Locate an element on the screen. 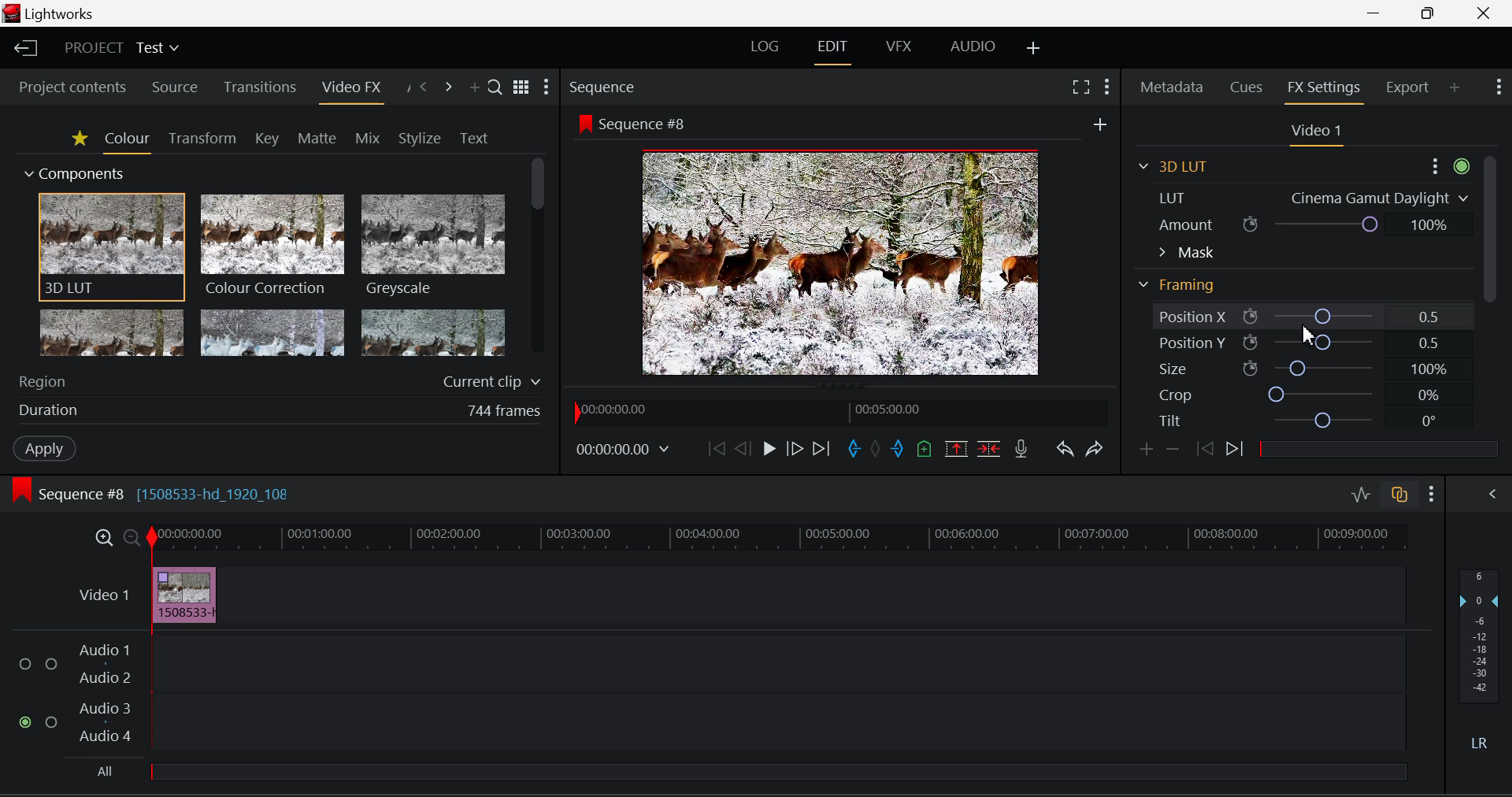 This screenshot has width=1512, height=797. Audio Input Checkbox is located at coordinates (24, 721).